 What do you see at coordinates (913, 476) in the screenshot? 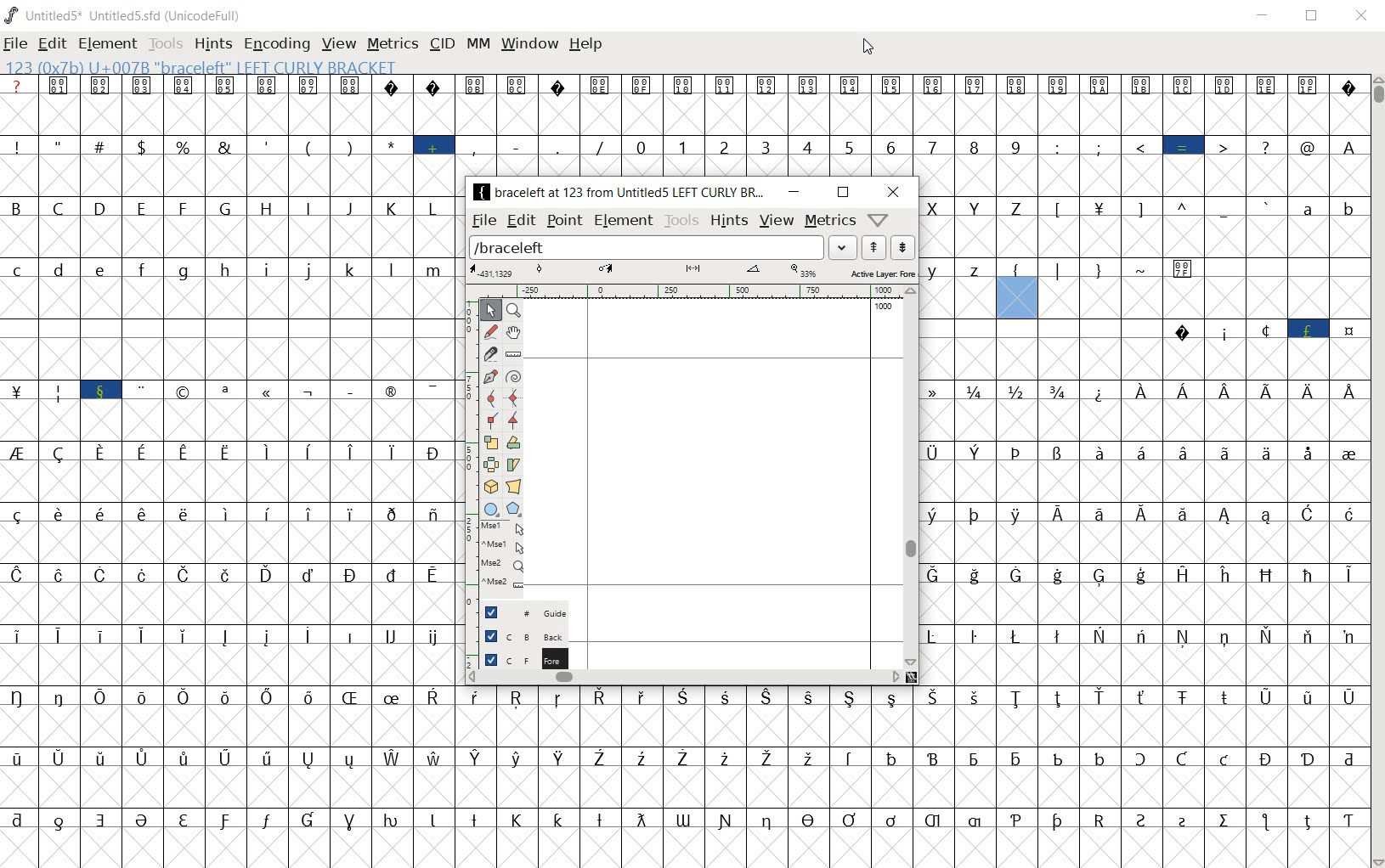
I see `scrollbar` at bounding box center [913, 476].